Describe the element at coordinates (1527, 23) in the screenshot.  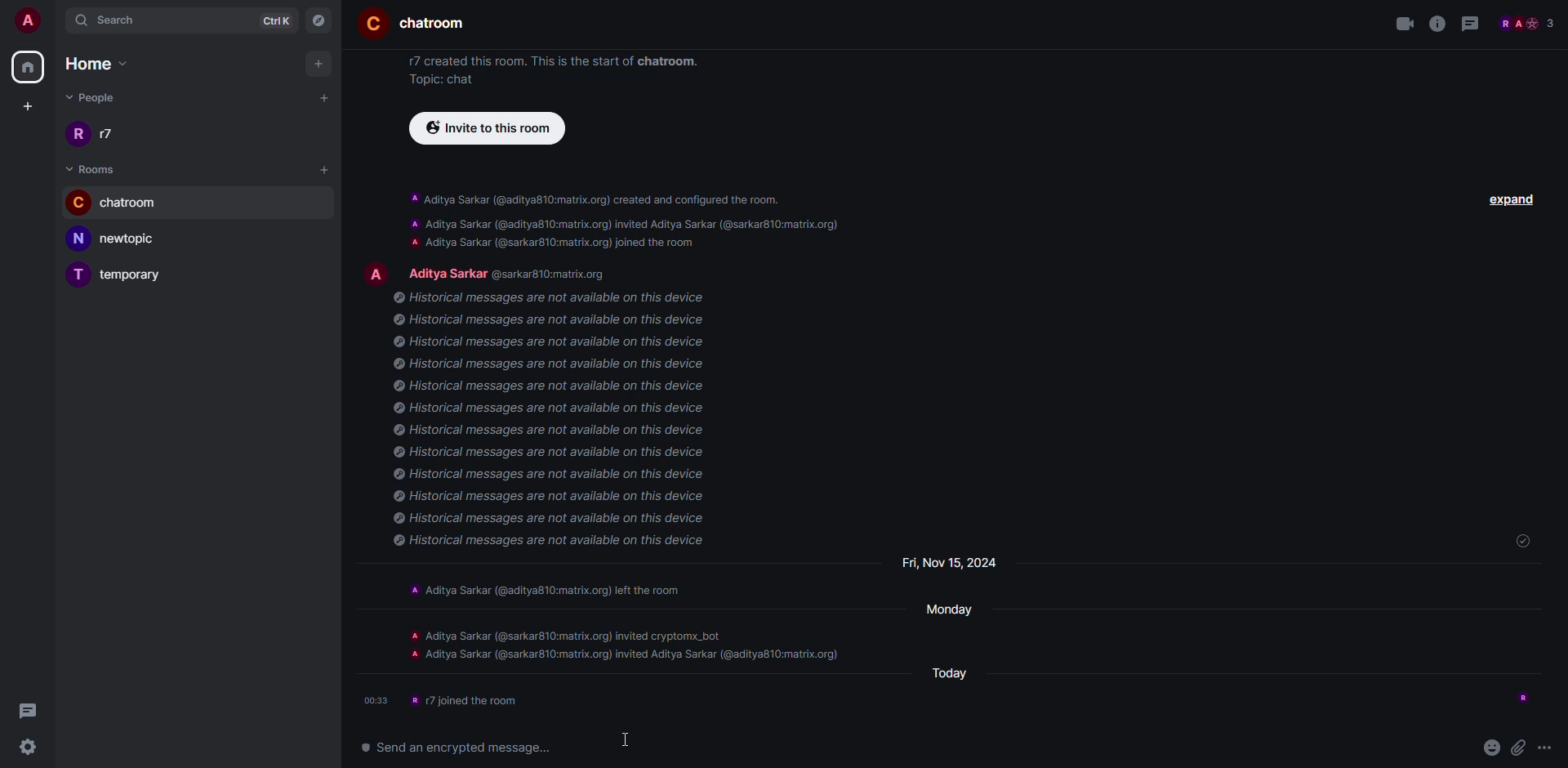
I see `people` at that location.